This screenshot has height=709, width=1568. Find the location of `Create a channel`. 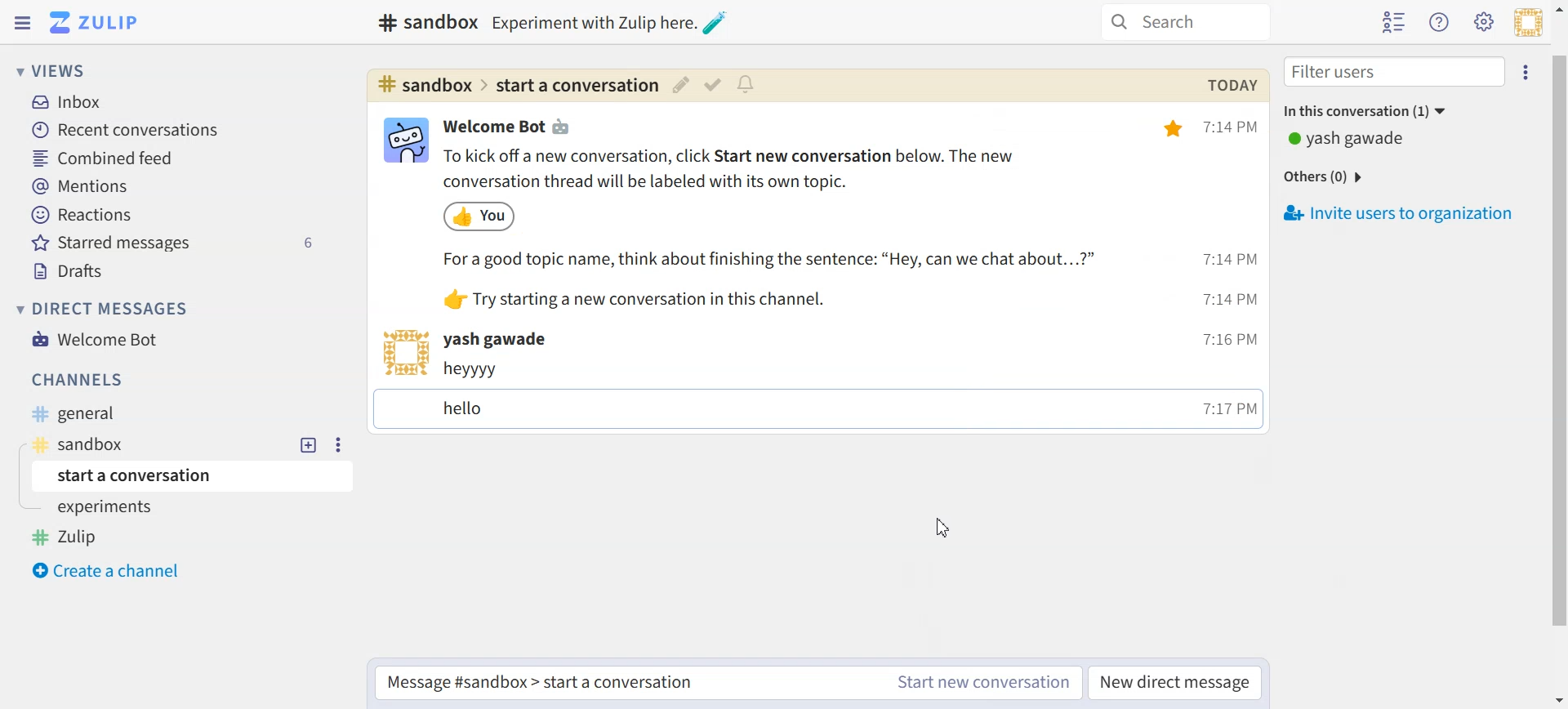

Create a channel is located at coordinates (112, 571).